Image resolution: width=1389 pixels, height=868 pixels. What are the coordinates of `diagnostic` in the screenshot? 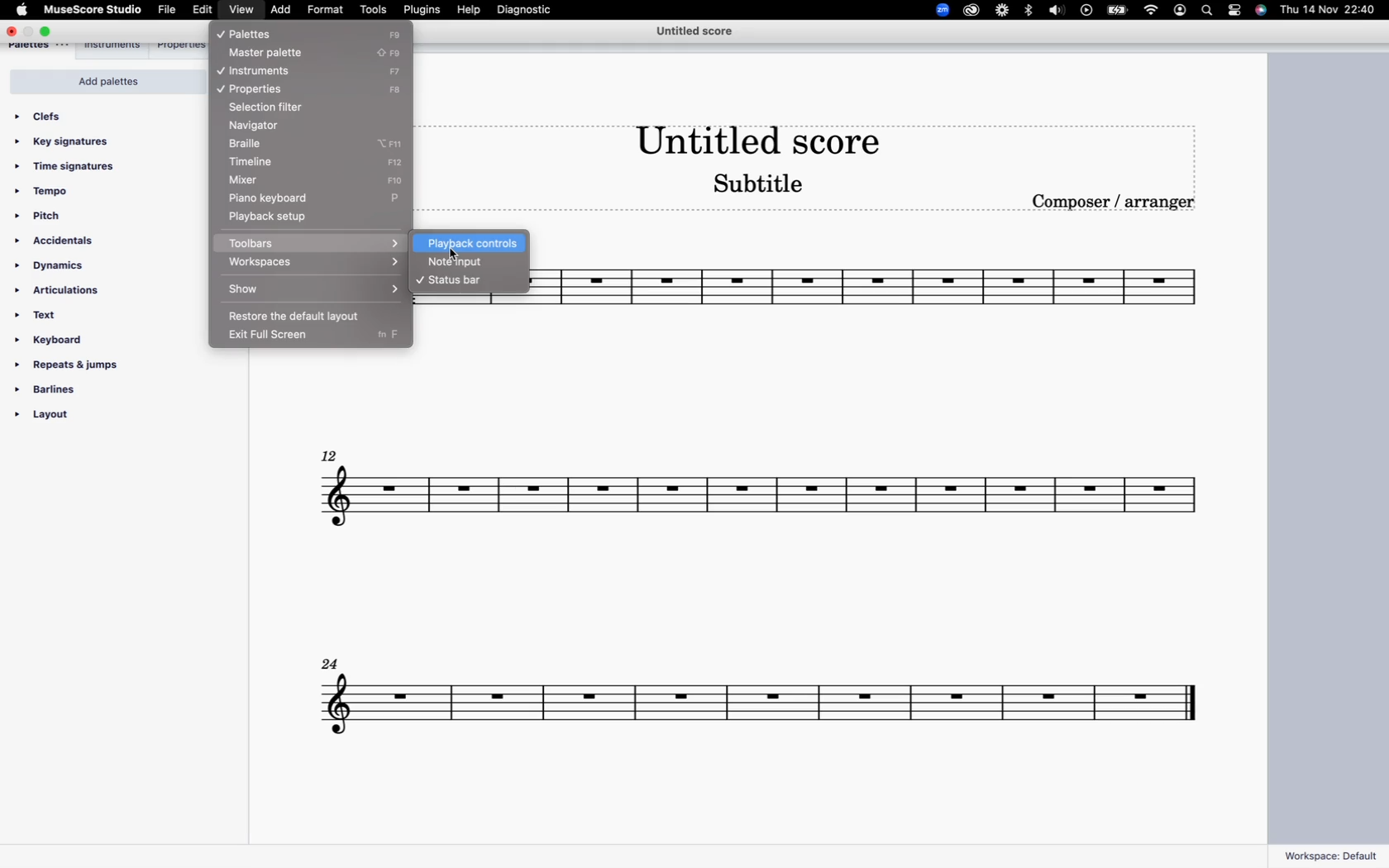 It's located at (533, 12).